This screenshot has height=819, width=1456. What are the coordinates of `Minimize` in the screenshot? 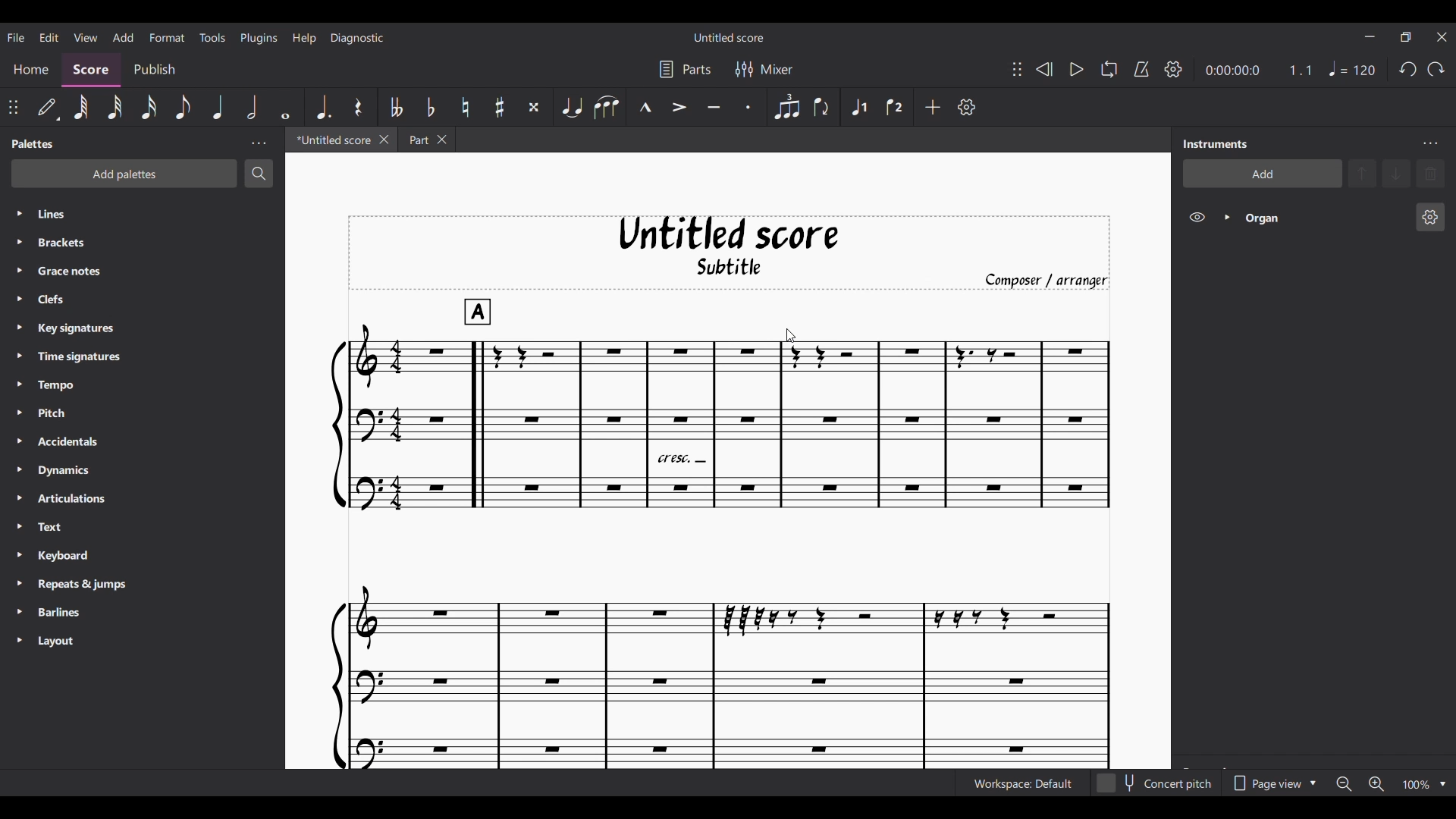 It's located at (1370, 36).